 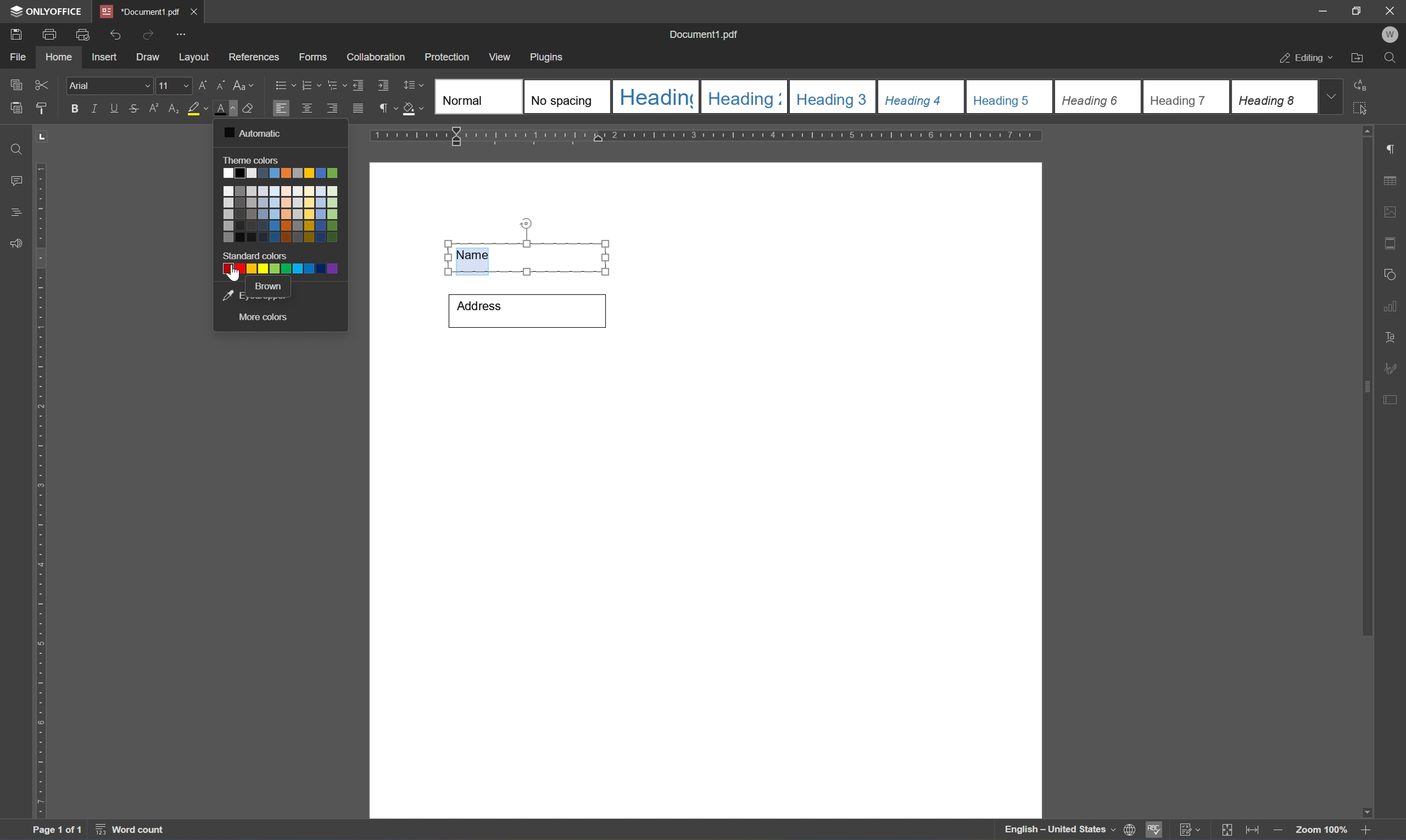 What do you see at coordinates (332, 108) in the screenshot?
I see `align right` at bounding box center [332, 108].